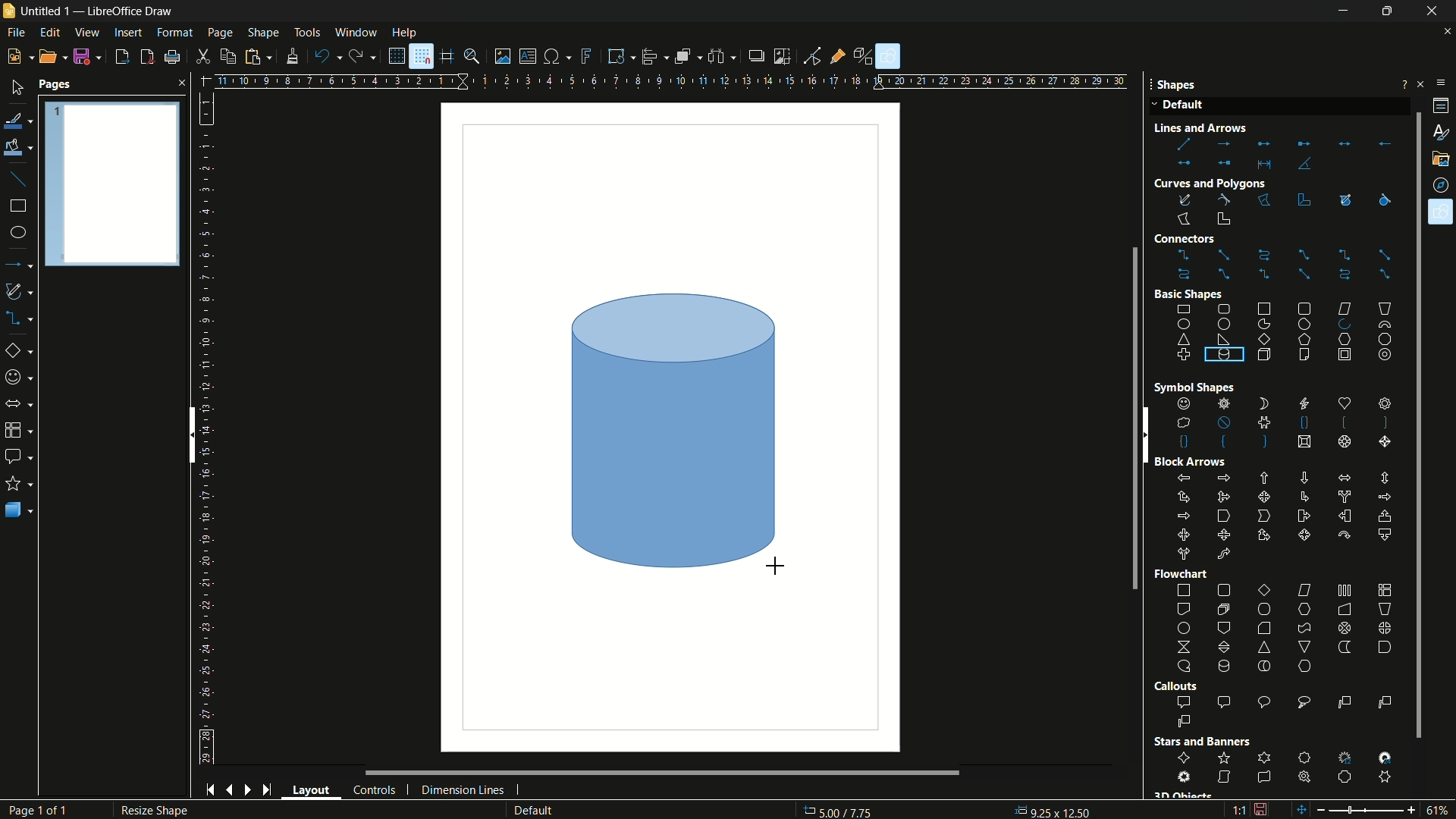  Describe the element at coordinates (178, 83) in the screenshot. I see `close` at that location.